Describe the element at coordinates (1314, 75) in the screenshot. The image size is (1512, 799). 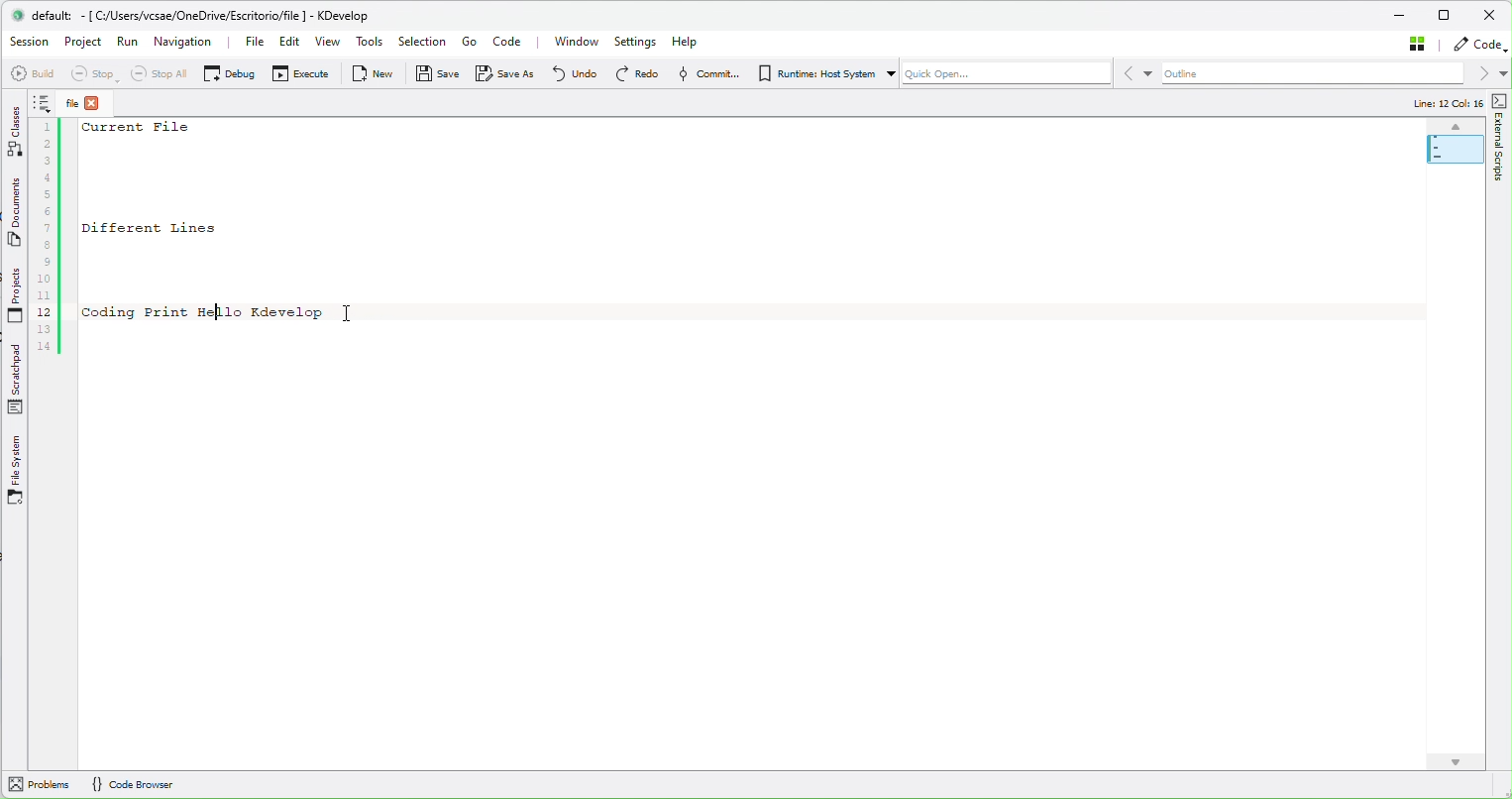
I see `Outline` at that location.